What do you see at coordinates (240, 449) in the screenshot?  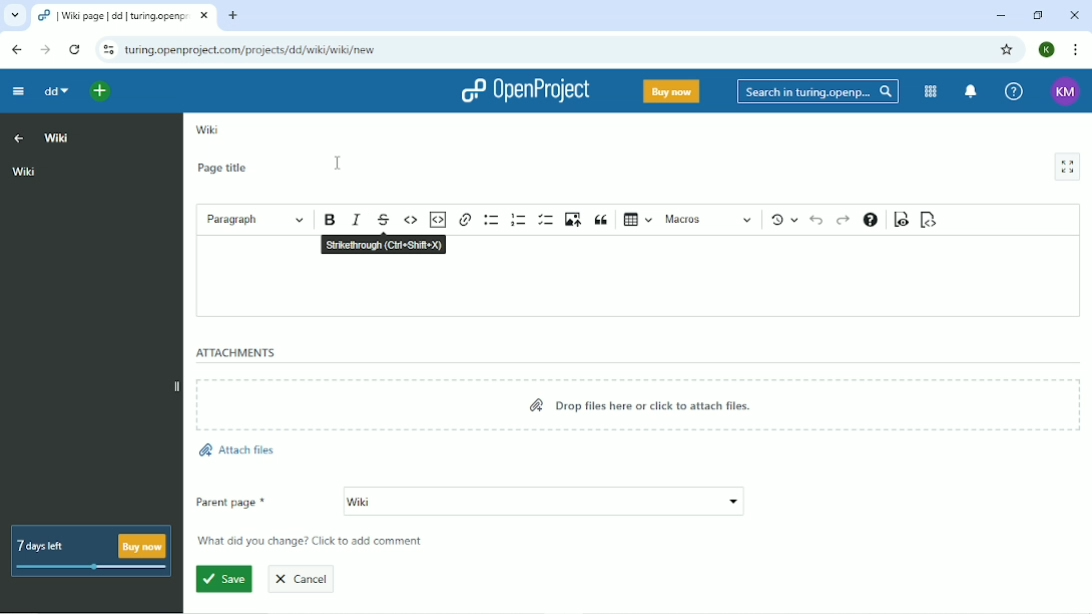 I see `Attach files` at bounding box center [240, 449].